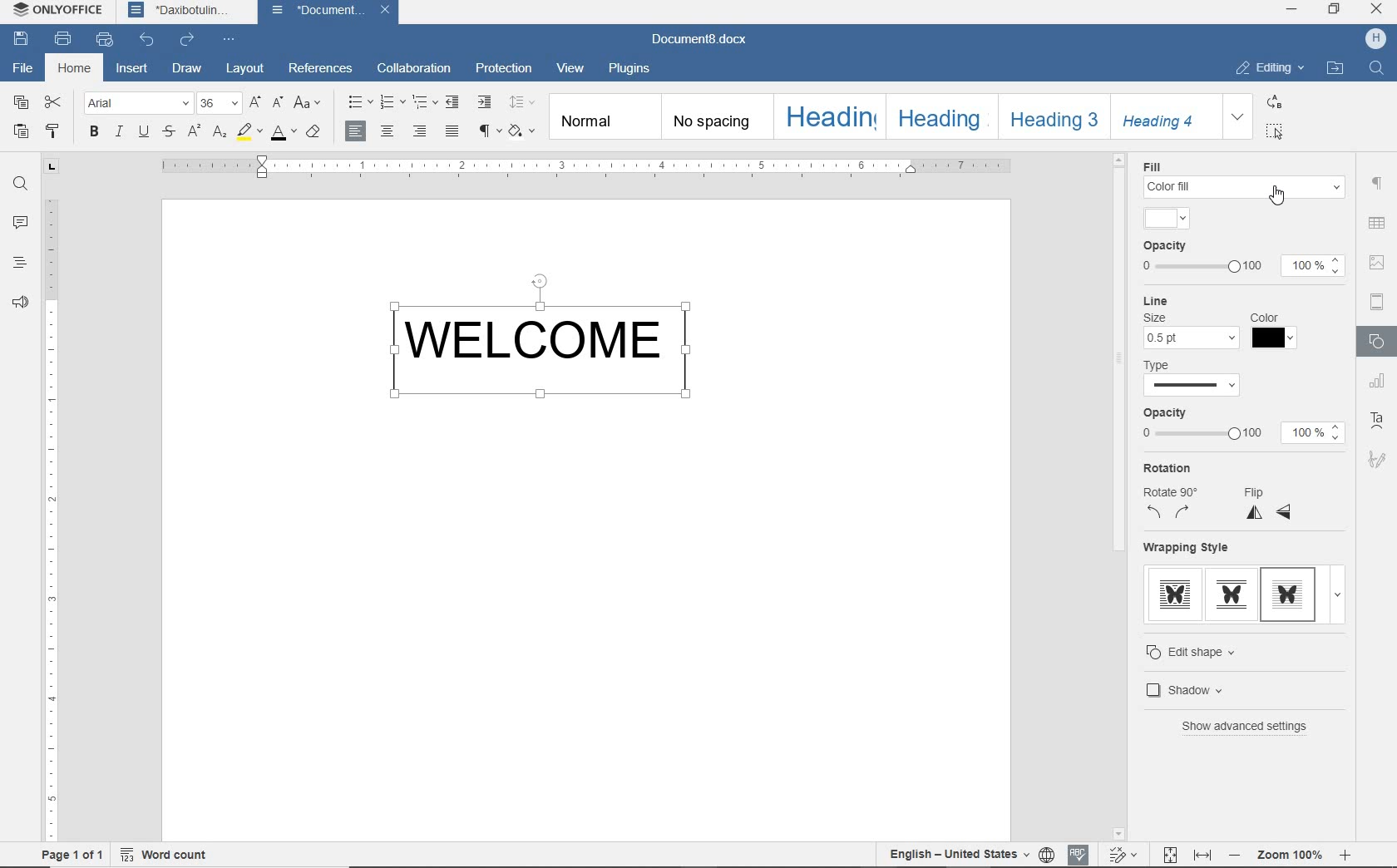  What do you see at coordinates (1303, 433) in the screenshot?
I see `100%` at bounding box center [1303, 433].